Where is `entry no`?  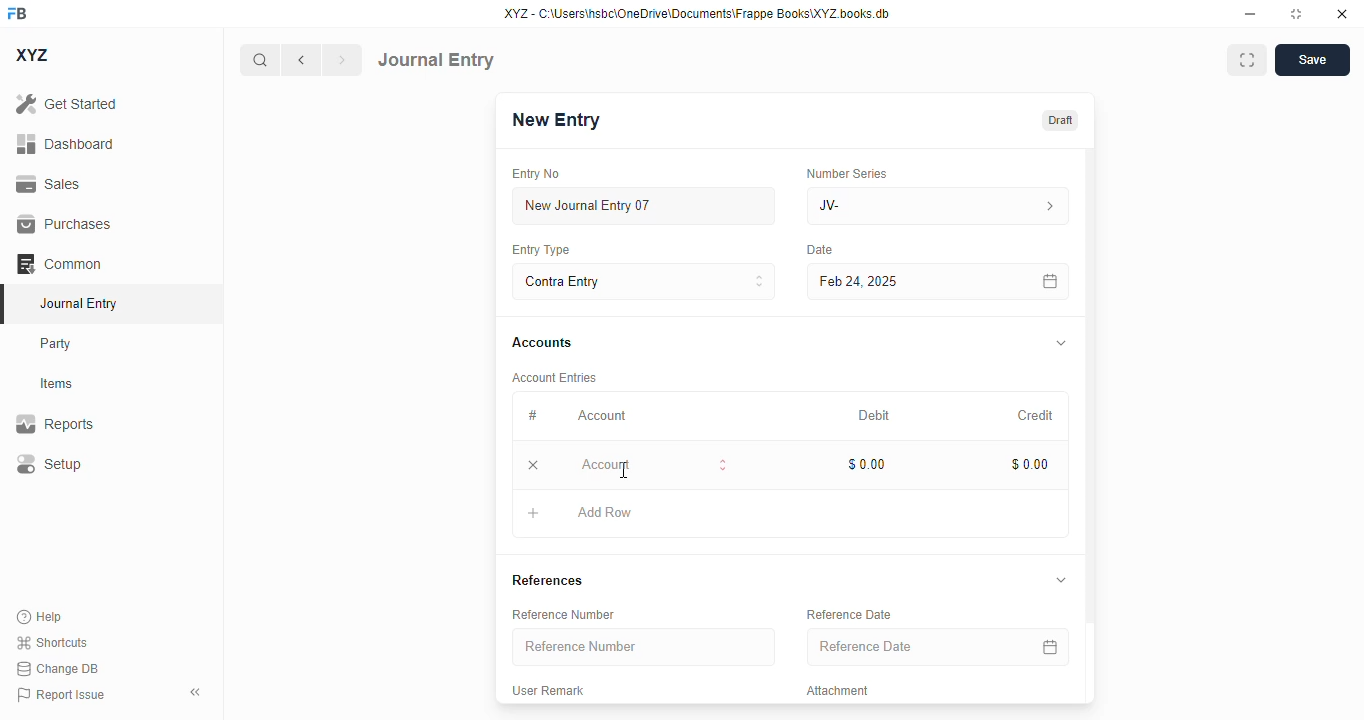
entry no is located at coordinates (537, 173).